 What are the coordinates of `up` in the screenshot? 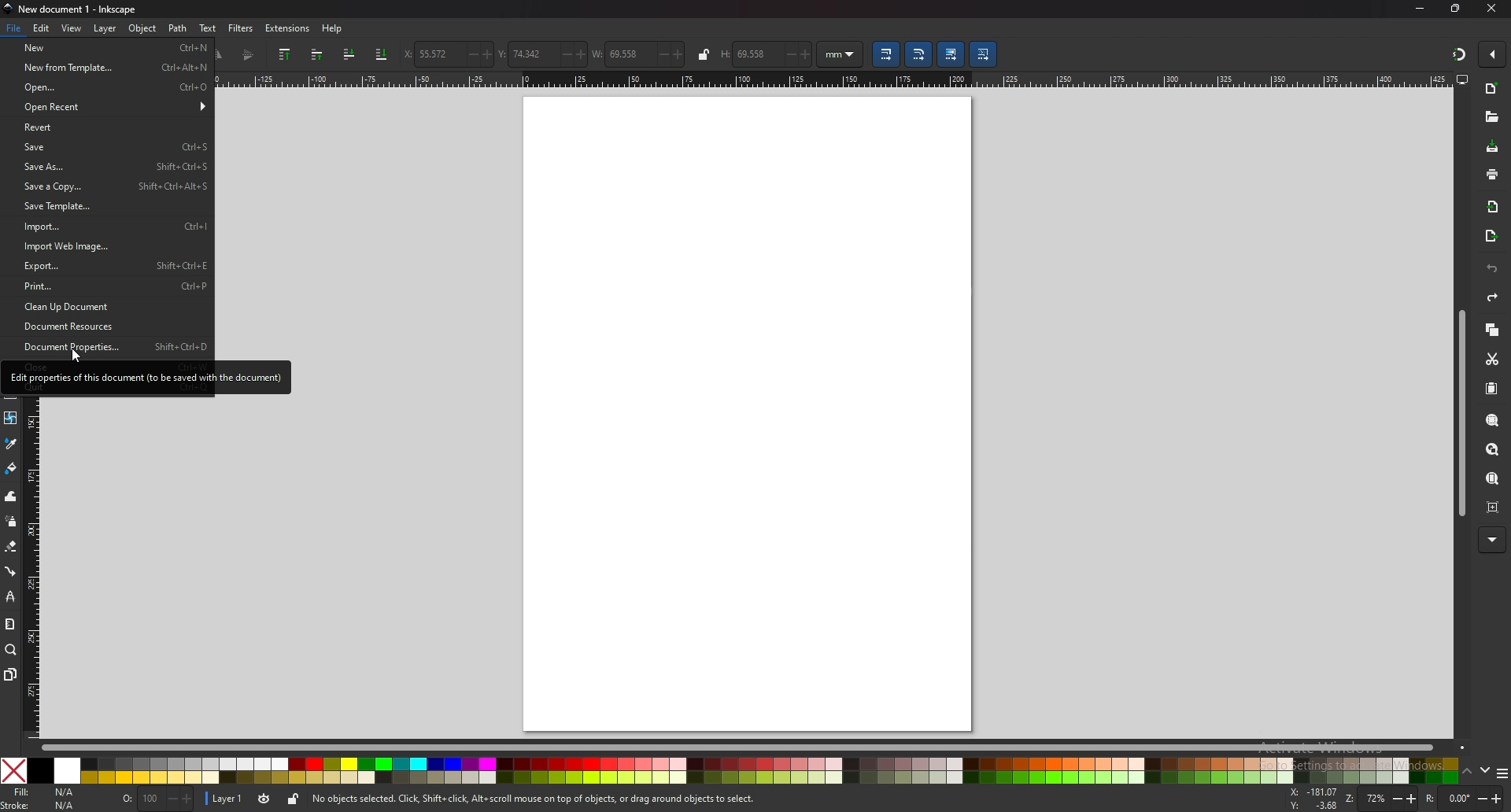 It's located at (1467, 770).